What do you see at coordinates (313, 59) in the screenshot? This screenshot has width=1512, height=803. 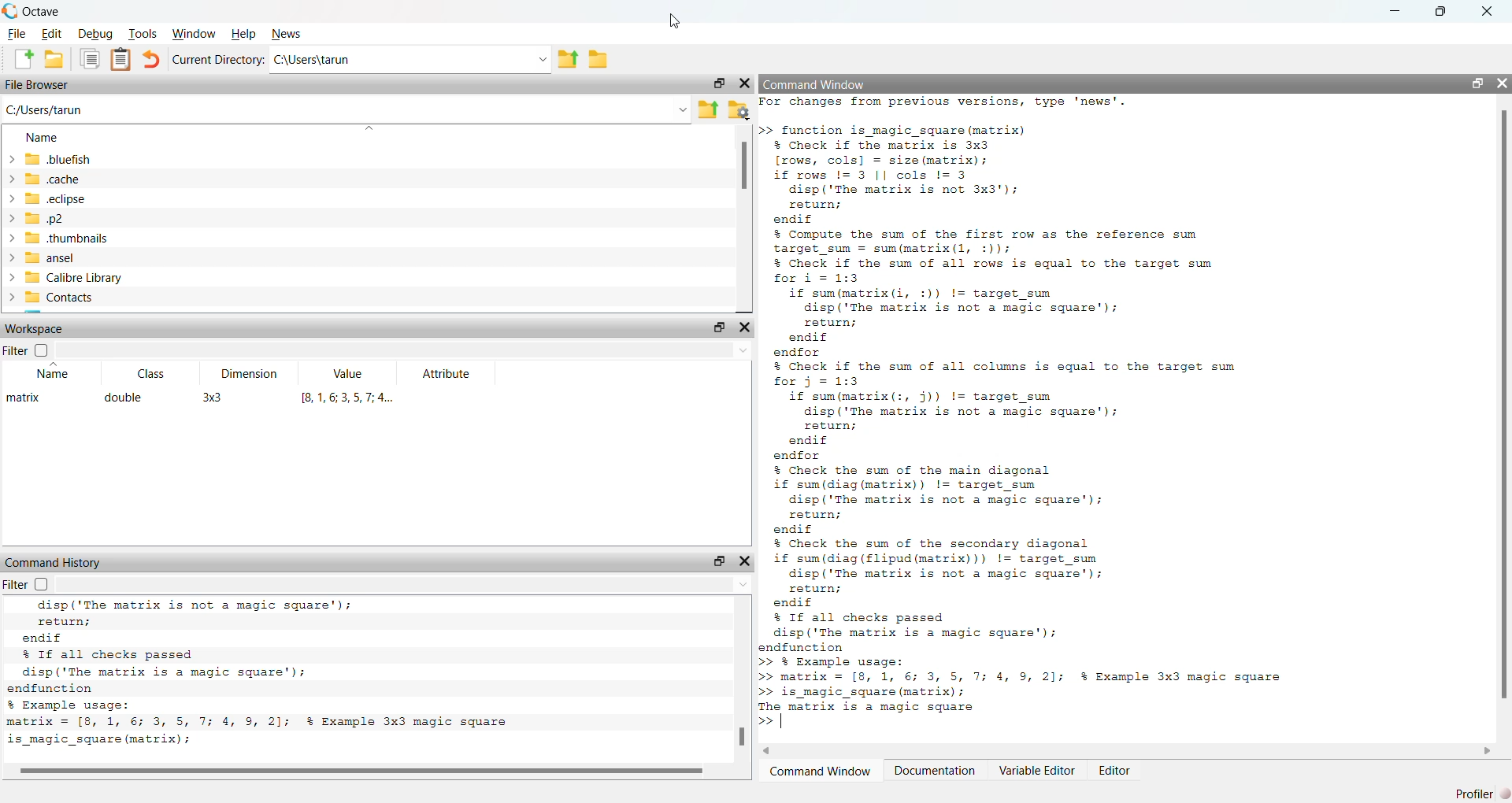 I see `C:\Users\taun` at bounding box center [313, 59].